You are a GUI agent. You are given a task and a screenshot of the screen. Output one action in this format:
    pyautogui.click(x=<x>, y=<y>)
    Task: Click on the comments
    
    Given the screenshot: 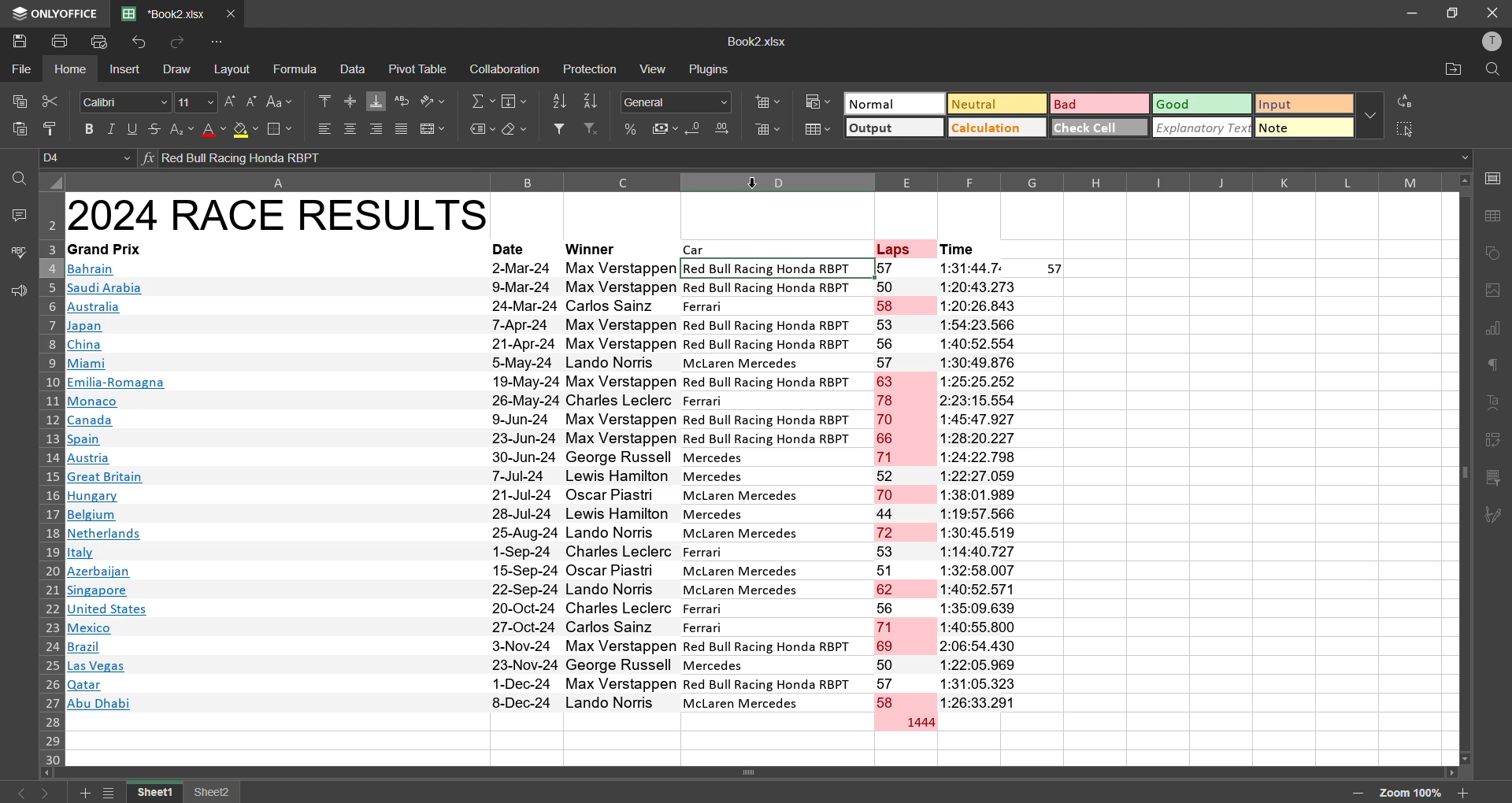 What is the action you would take?
    pyautogui.click(x=17, y=213)
    